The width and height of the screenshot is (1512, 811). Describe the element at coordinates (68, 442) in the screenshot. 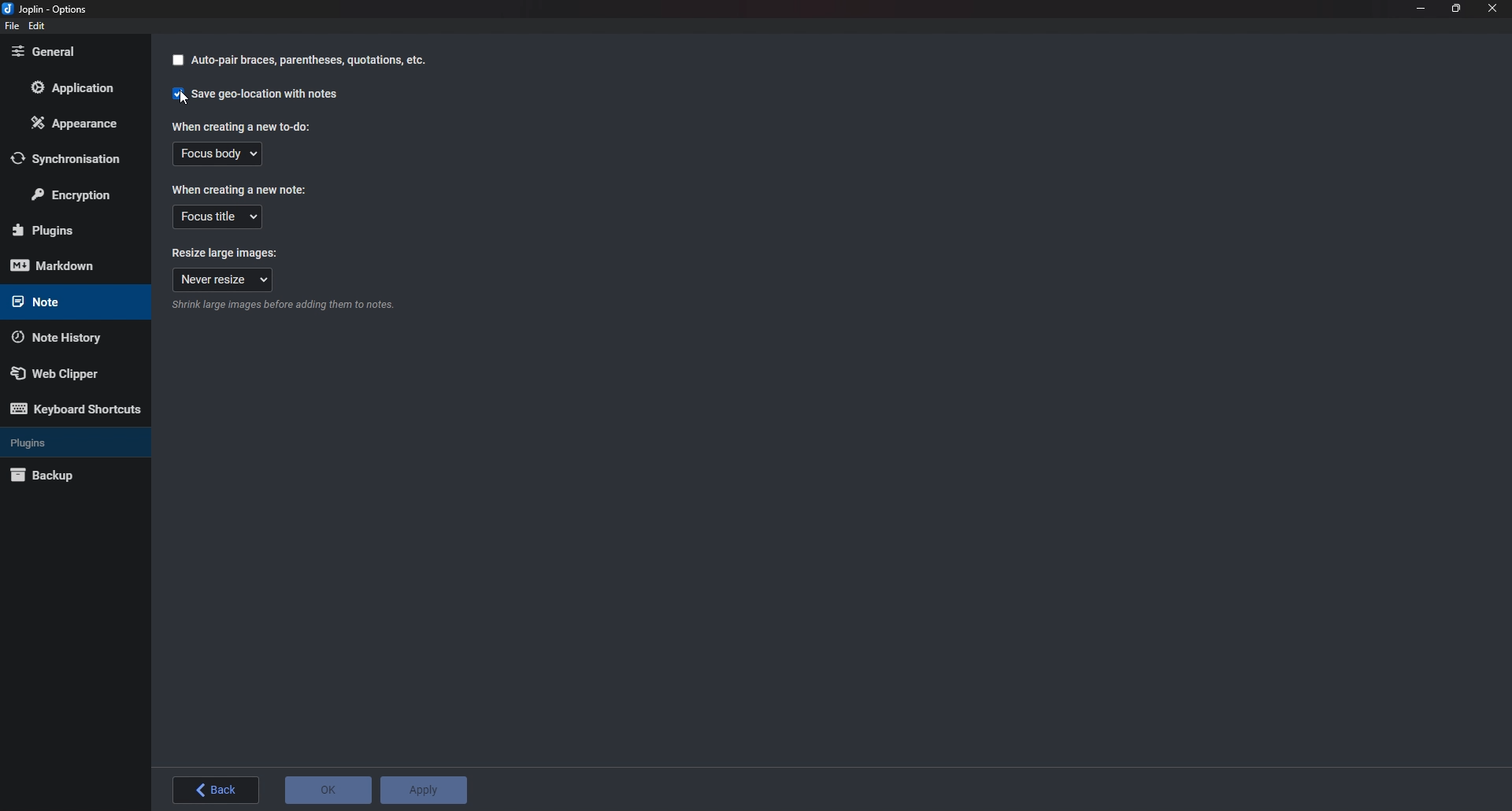

I see `Plugins` at that location.